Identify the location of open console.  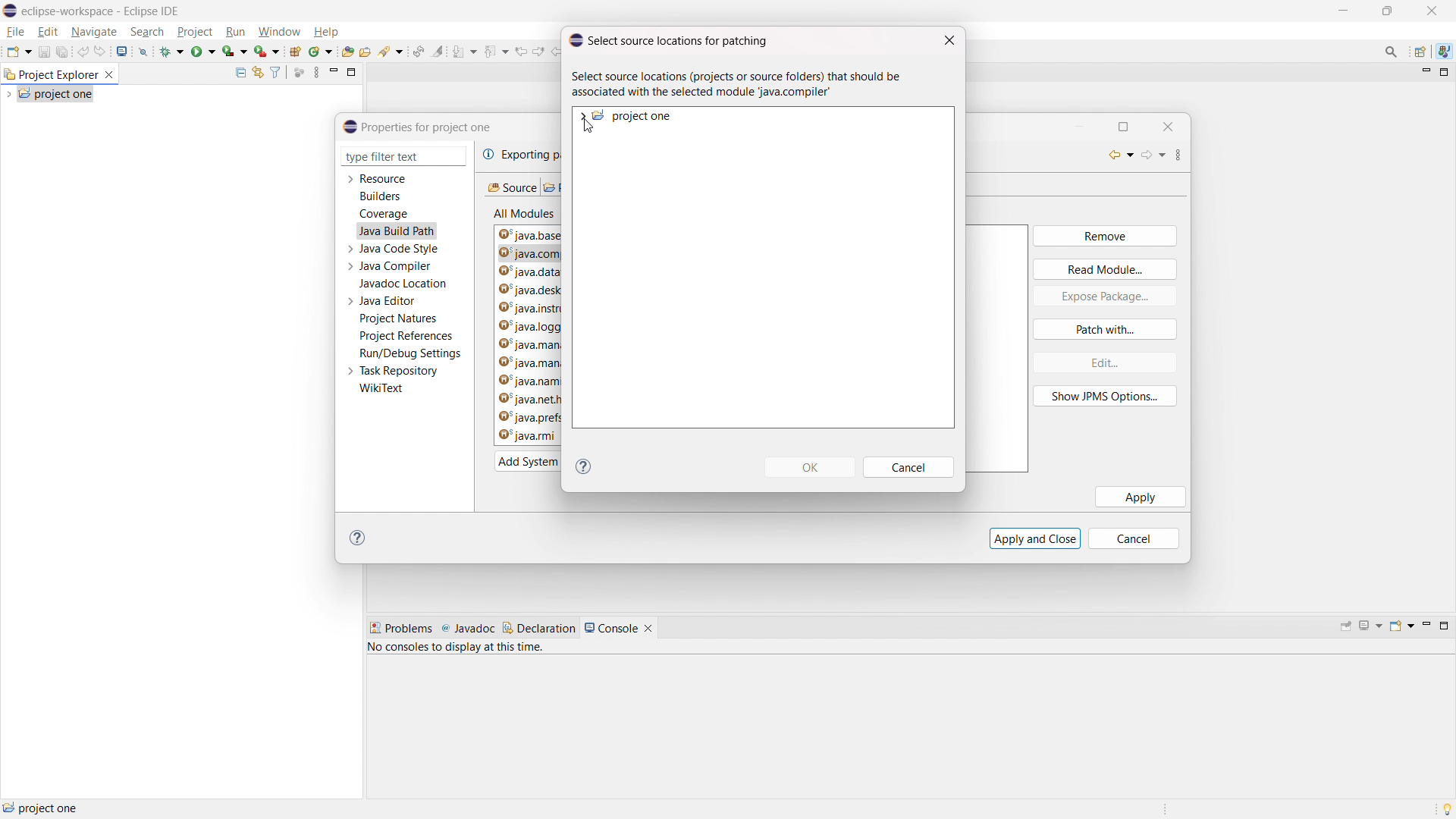
(1401, 626).